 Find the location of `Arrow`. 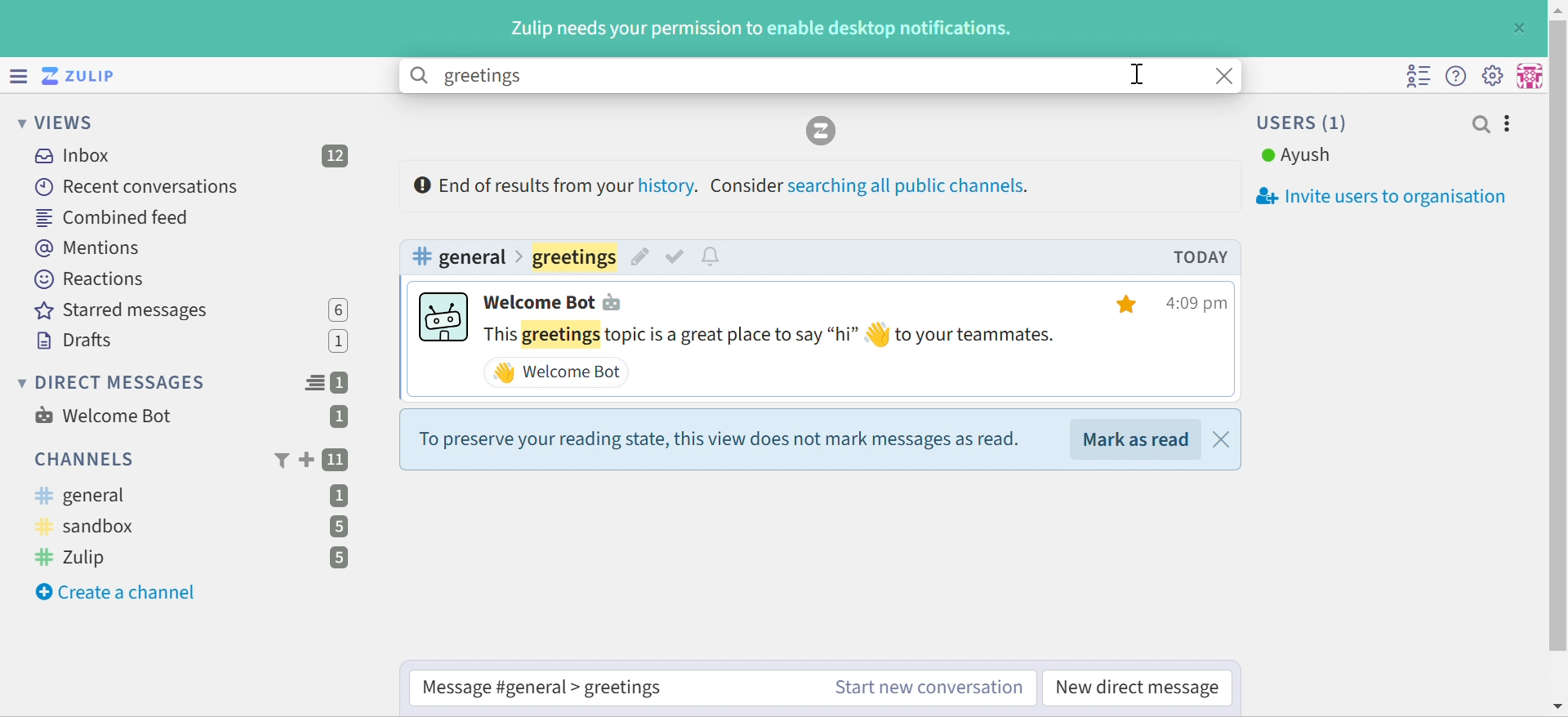

Arrow is located at coordinates (523, 256).